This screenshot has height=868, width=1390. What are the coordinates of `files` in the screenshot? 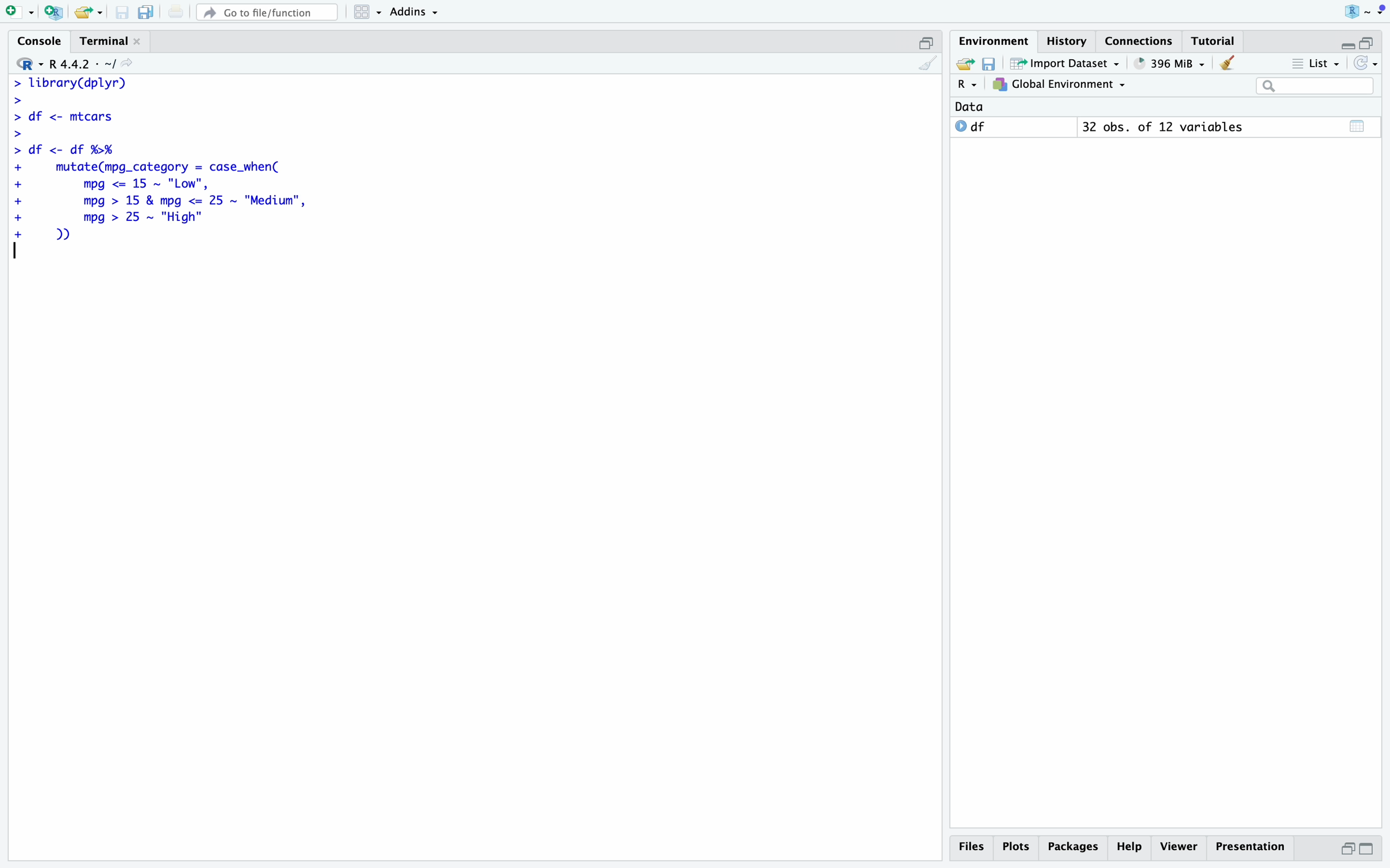 It's located at (972, 848).